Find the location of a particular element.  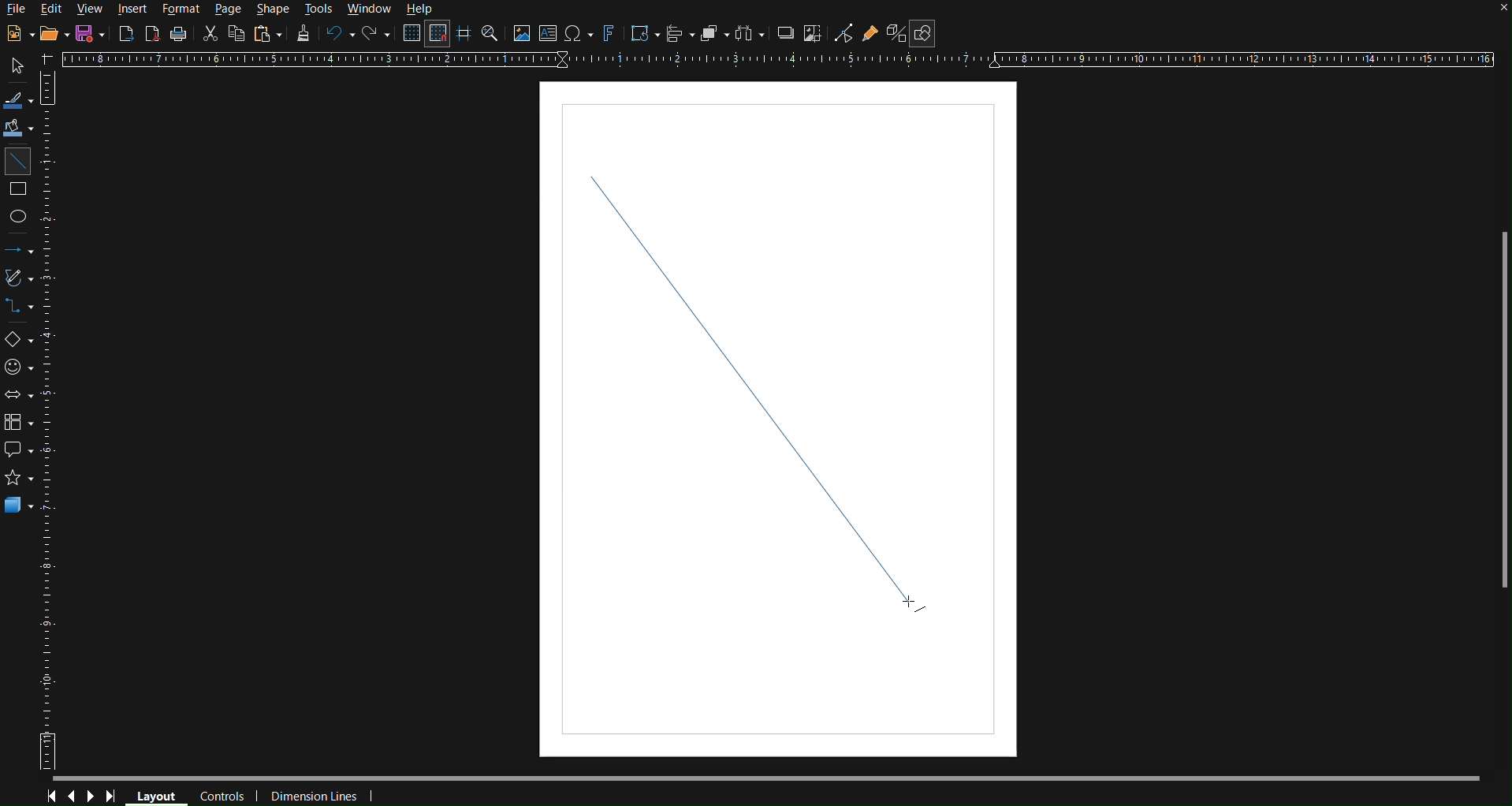

Snap to Grid is located at coordinates (438, 34).